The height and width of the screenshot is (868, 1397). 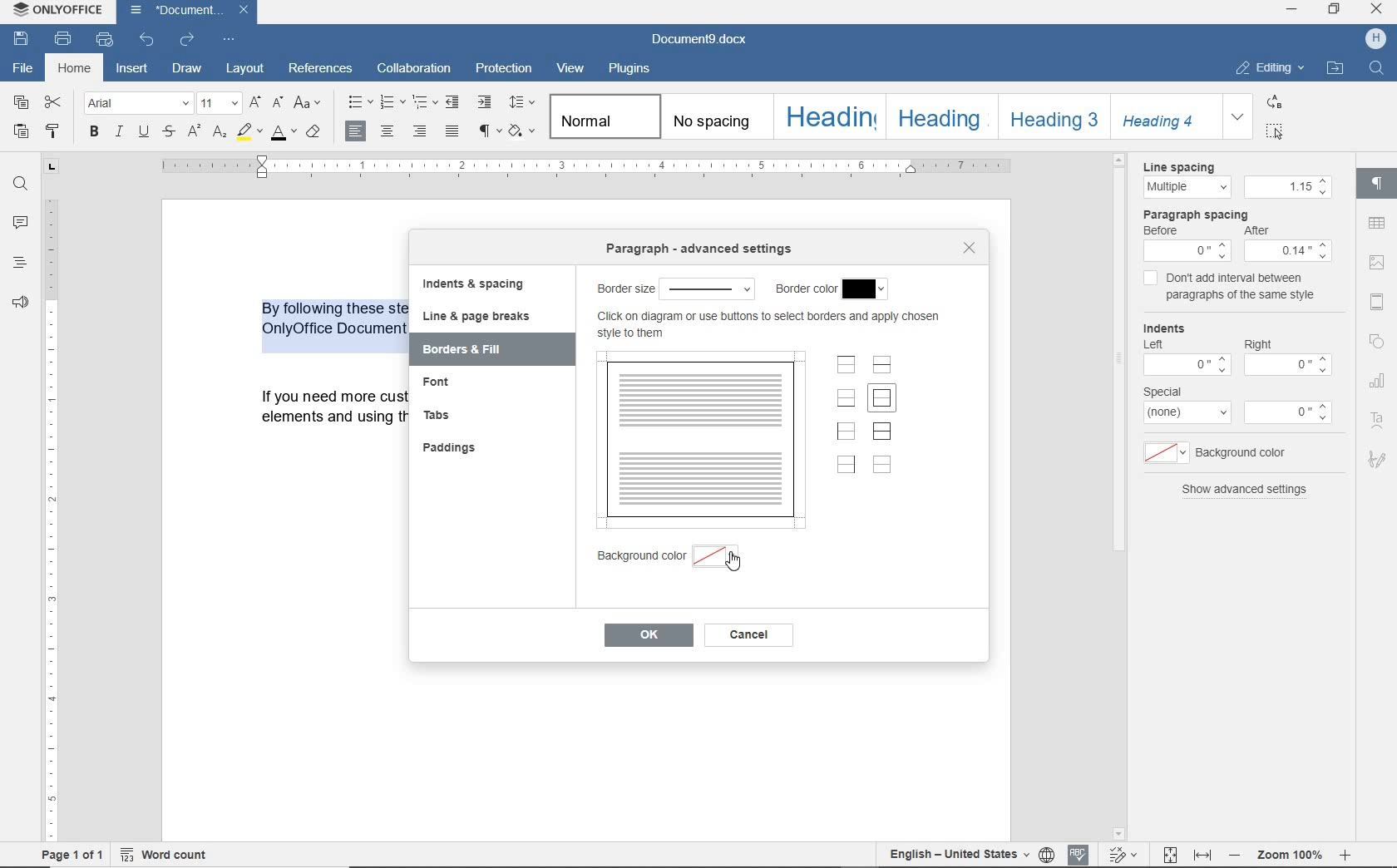 What do you see at coordinates (720, 558) in the screenshot?
I see `select` at bounding box center [720, 558].